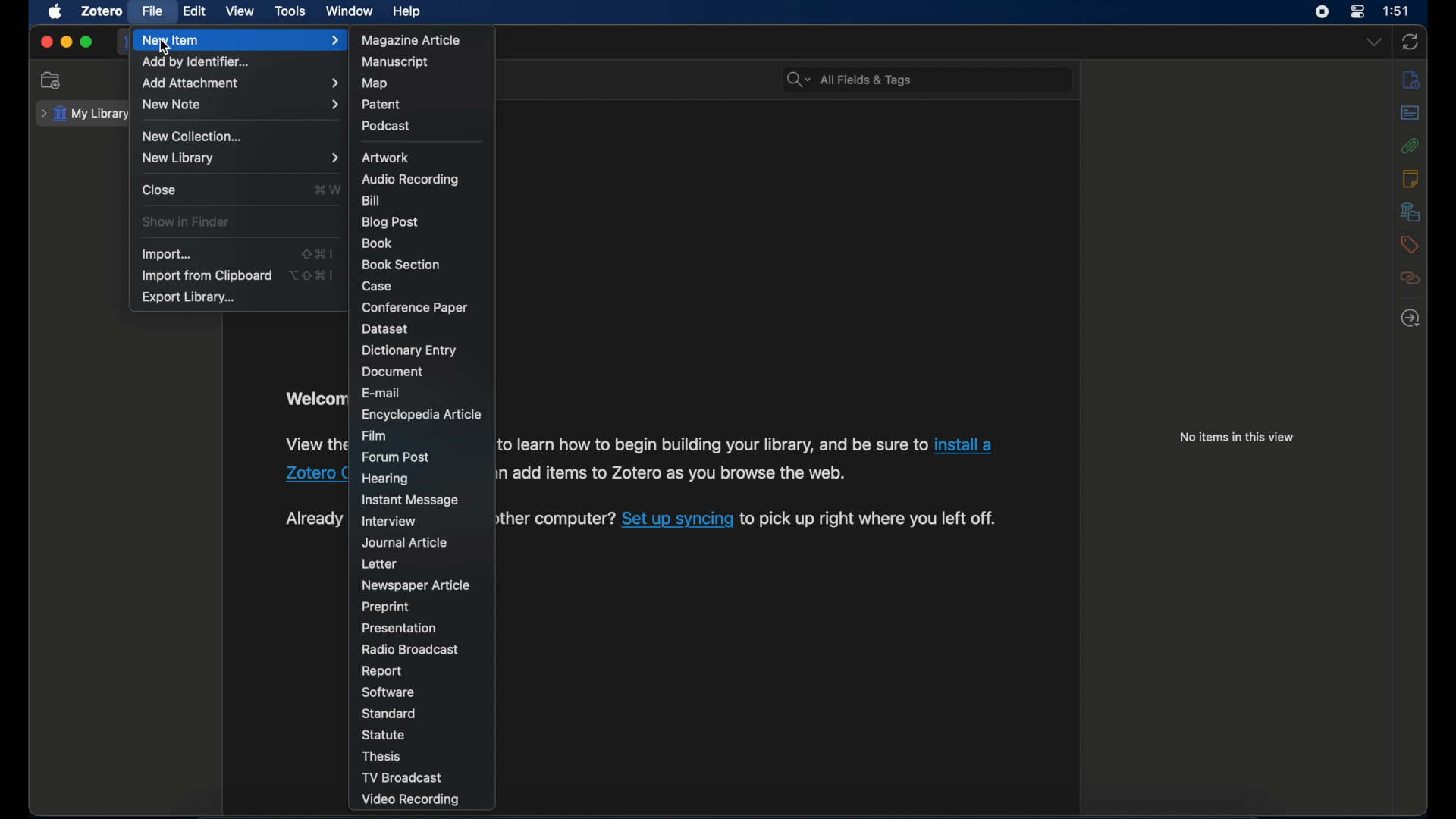 This screenshot has width=1456, height=819. I want to click on maximize, so click(86, 43).